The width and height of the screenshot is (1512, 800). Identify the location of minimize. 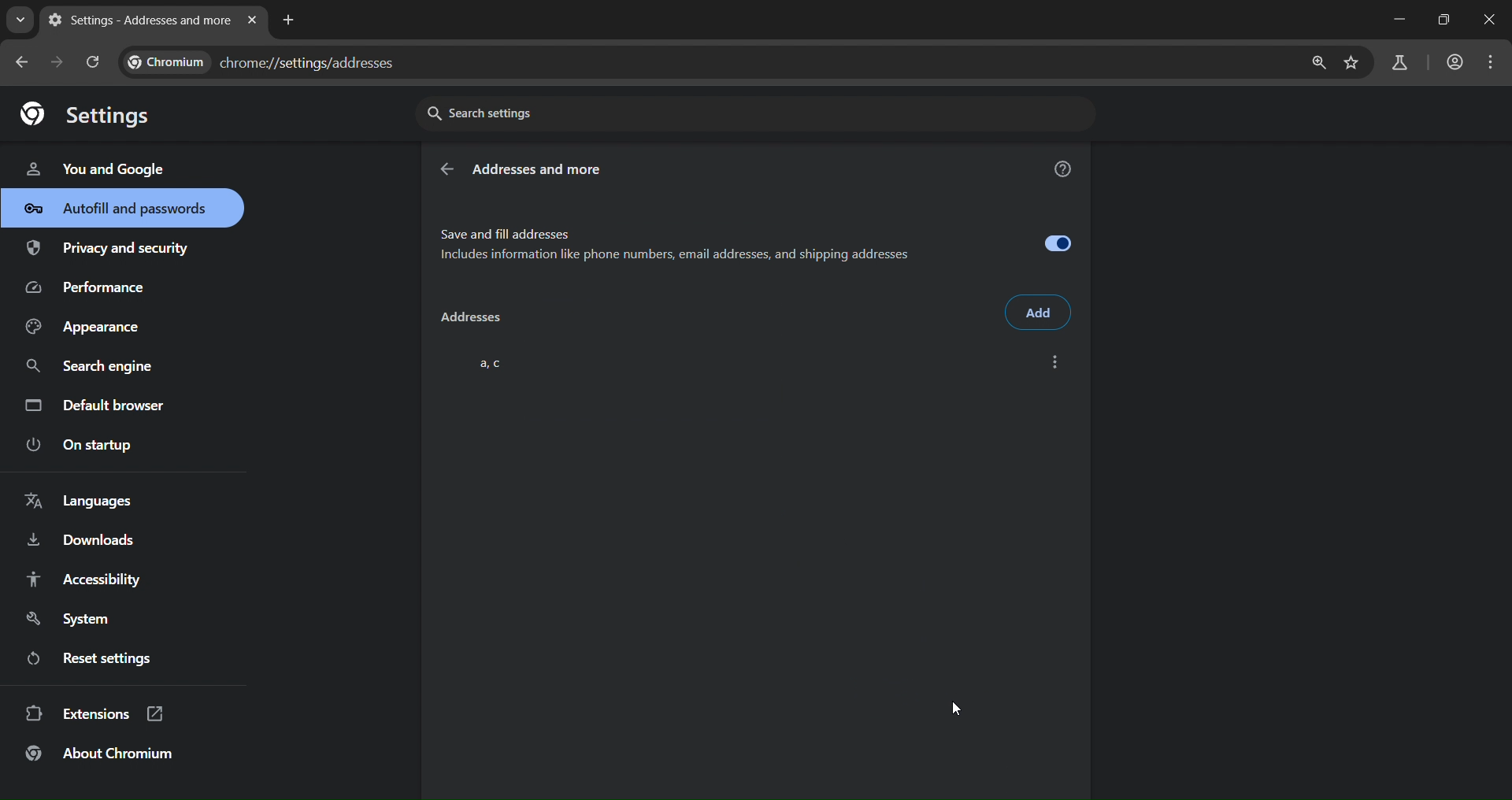
(1395, 20).